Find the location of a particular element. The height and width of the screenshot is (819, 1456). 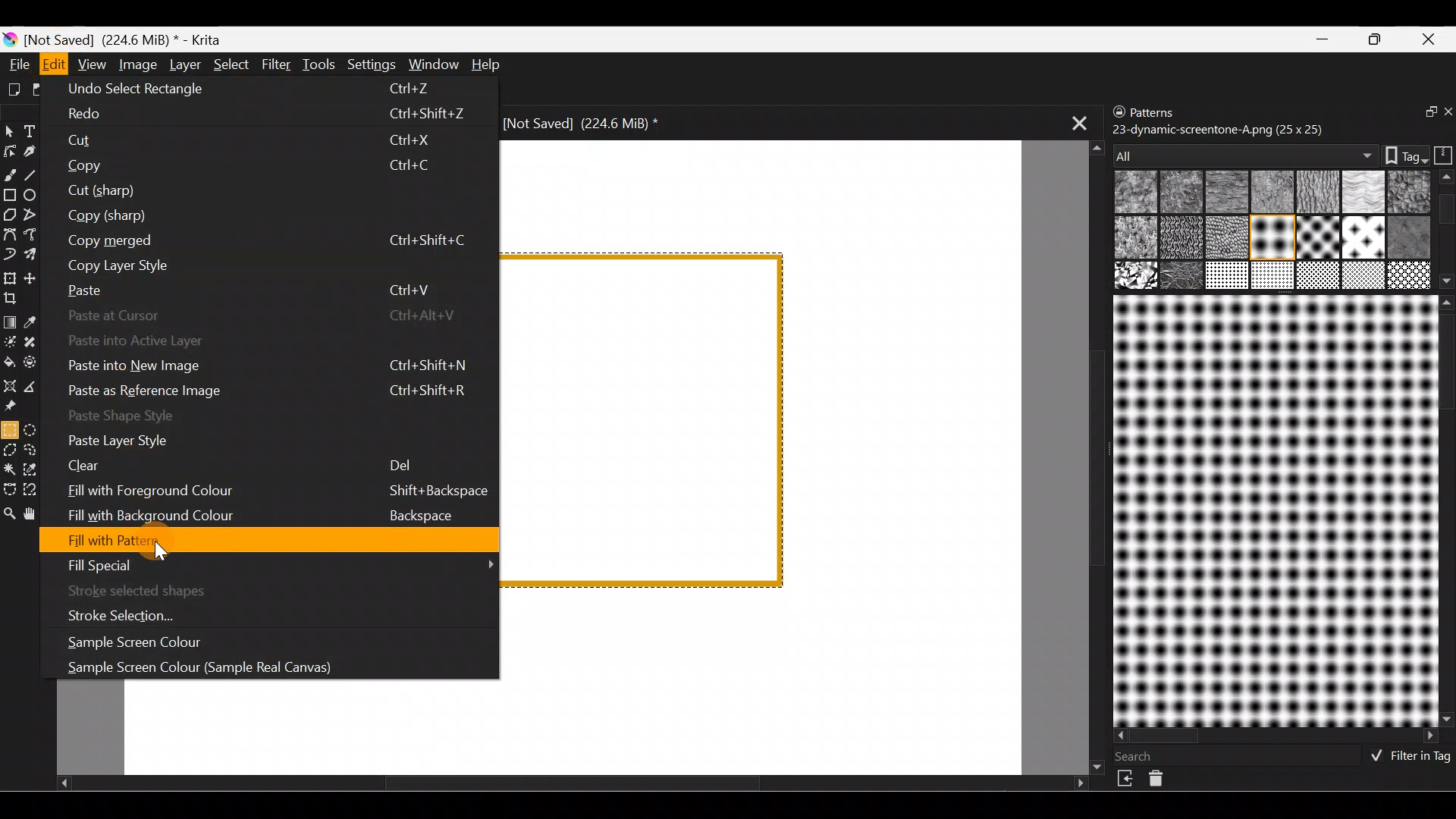

Filter in tag is located at coordinates (1407, 758).